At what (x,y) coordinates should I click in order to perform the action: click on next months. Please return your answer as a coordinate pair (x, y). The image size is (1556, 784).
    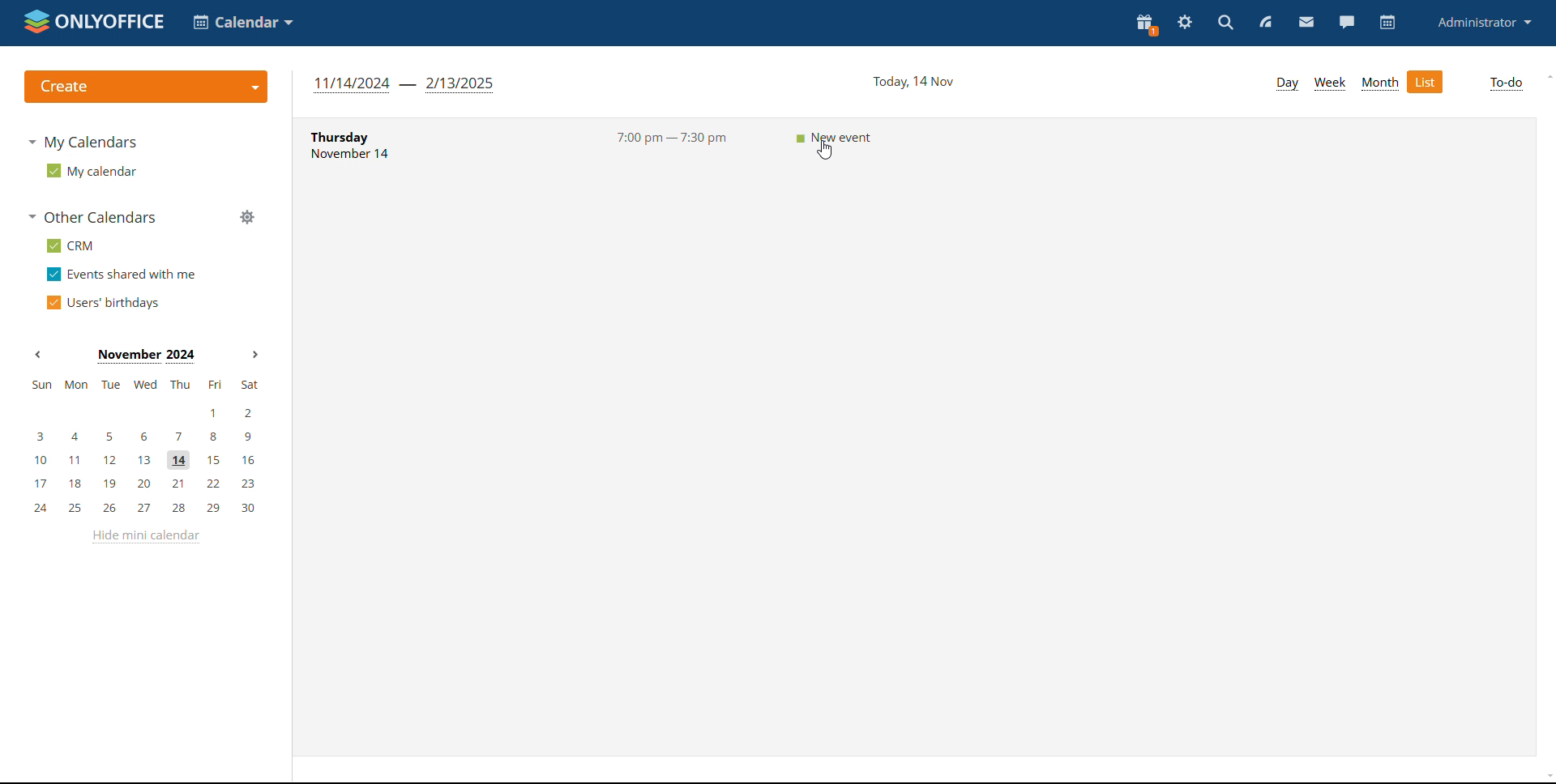
    Looking at the image, I should click on (253, 355).